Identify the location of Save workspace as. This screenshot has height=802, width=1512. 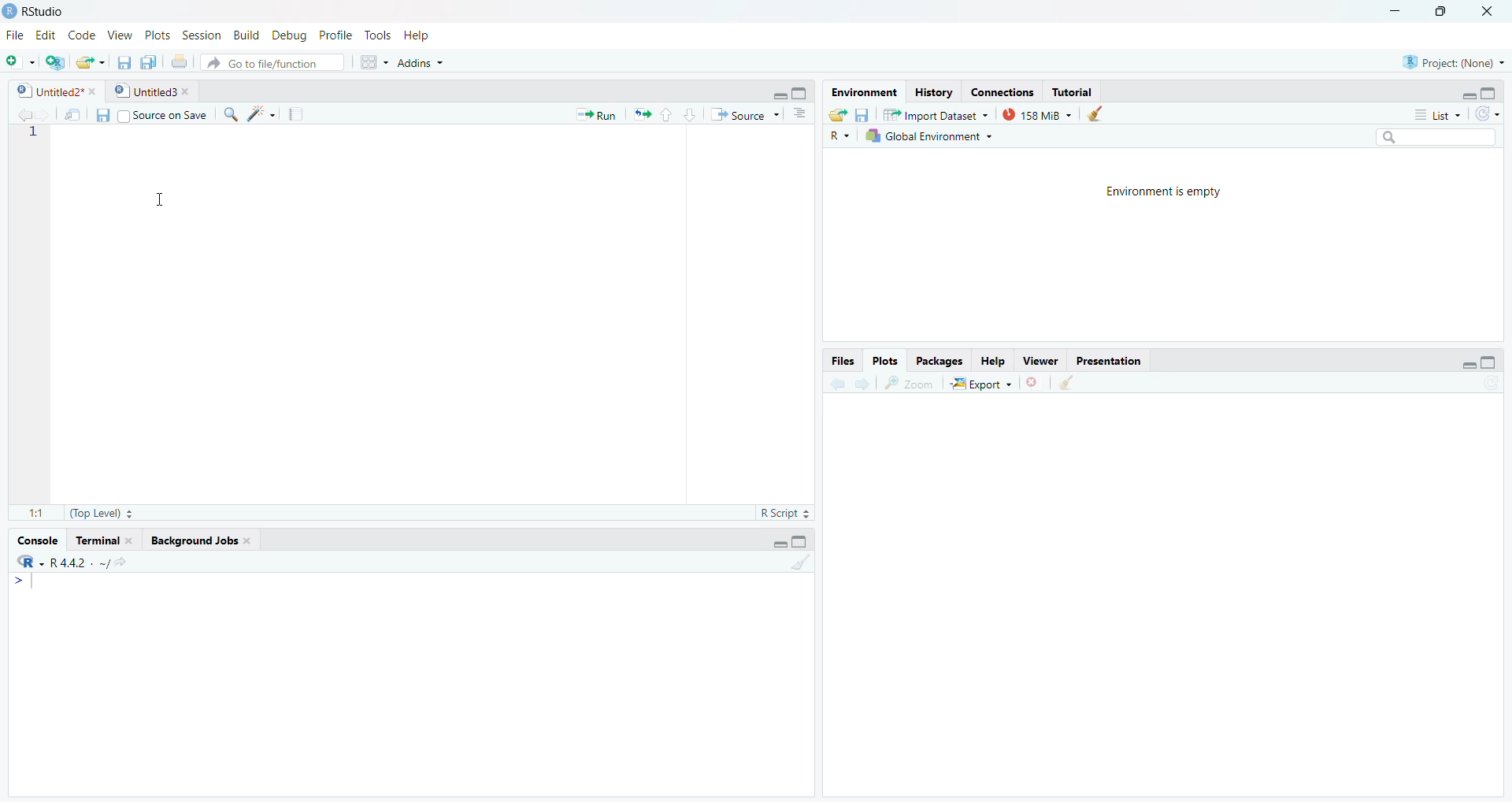
(866, 113).